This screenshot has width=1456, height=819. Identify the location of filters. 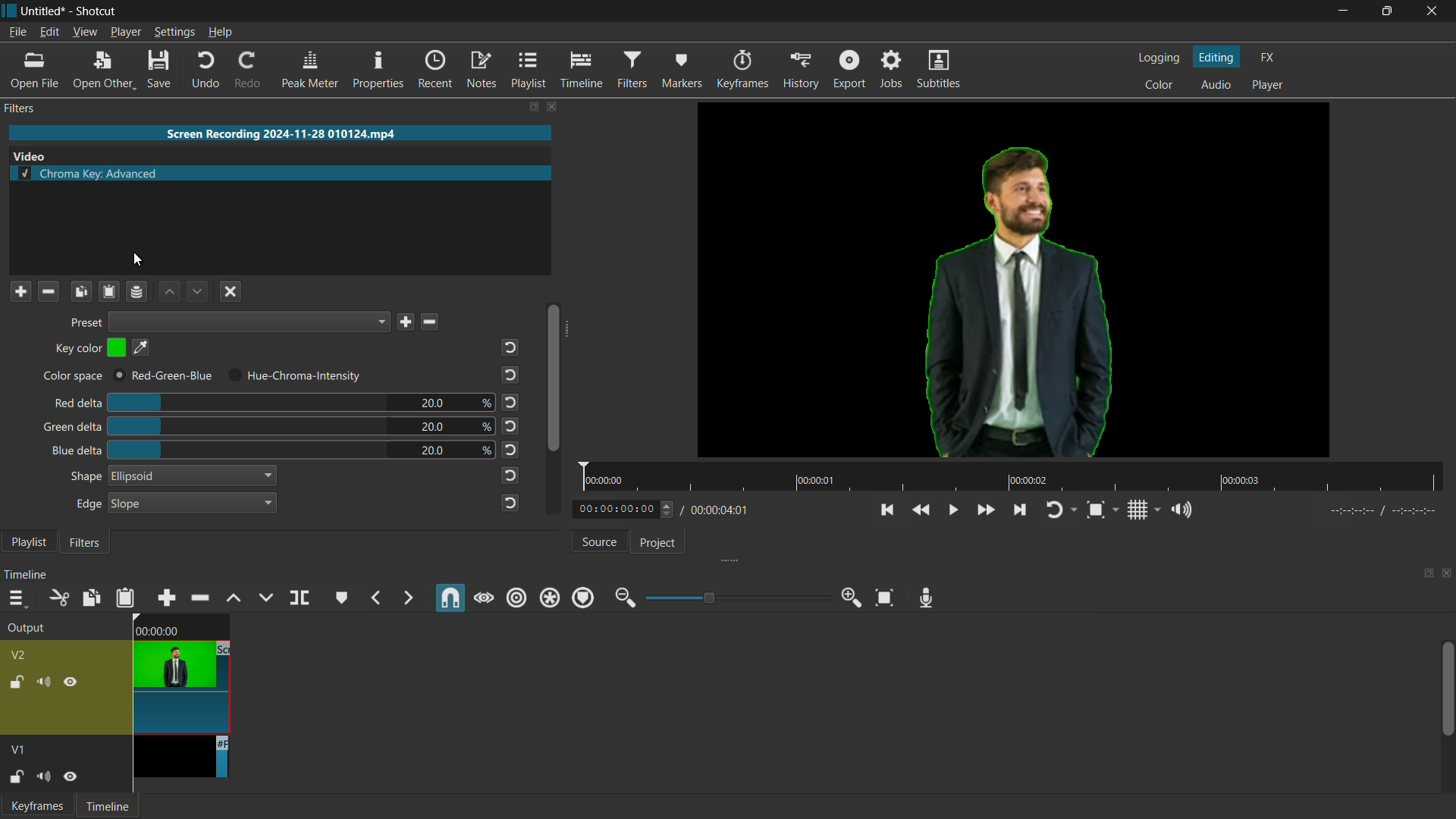
(631, 71).